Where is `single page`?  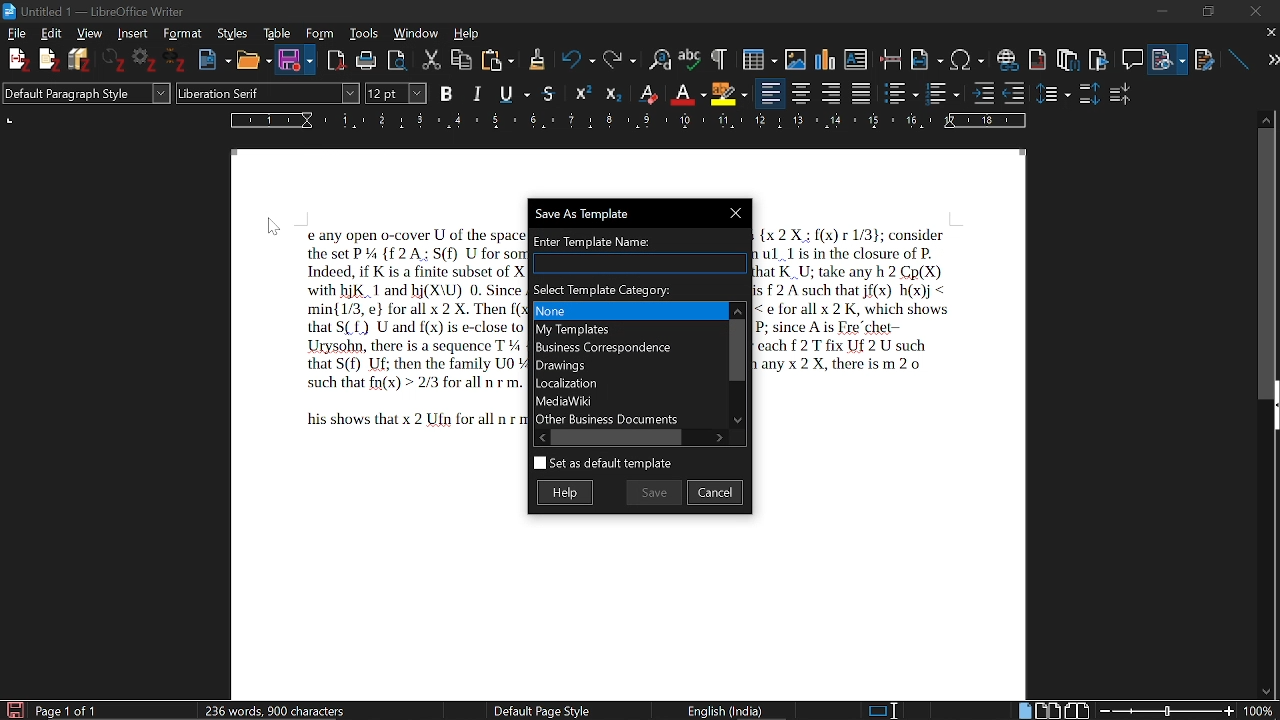 single page is located at coordinates (1025, 710).